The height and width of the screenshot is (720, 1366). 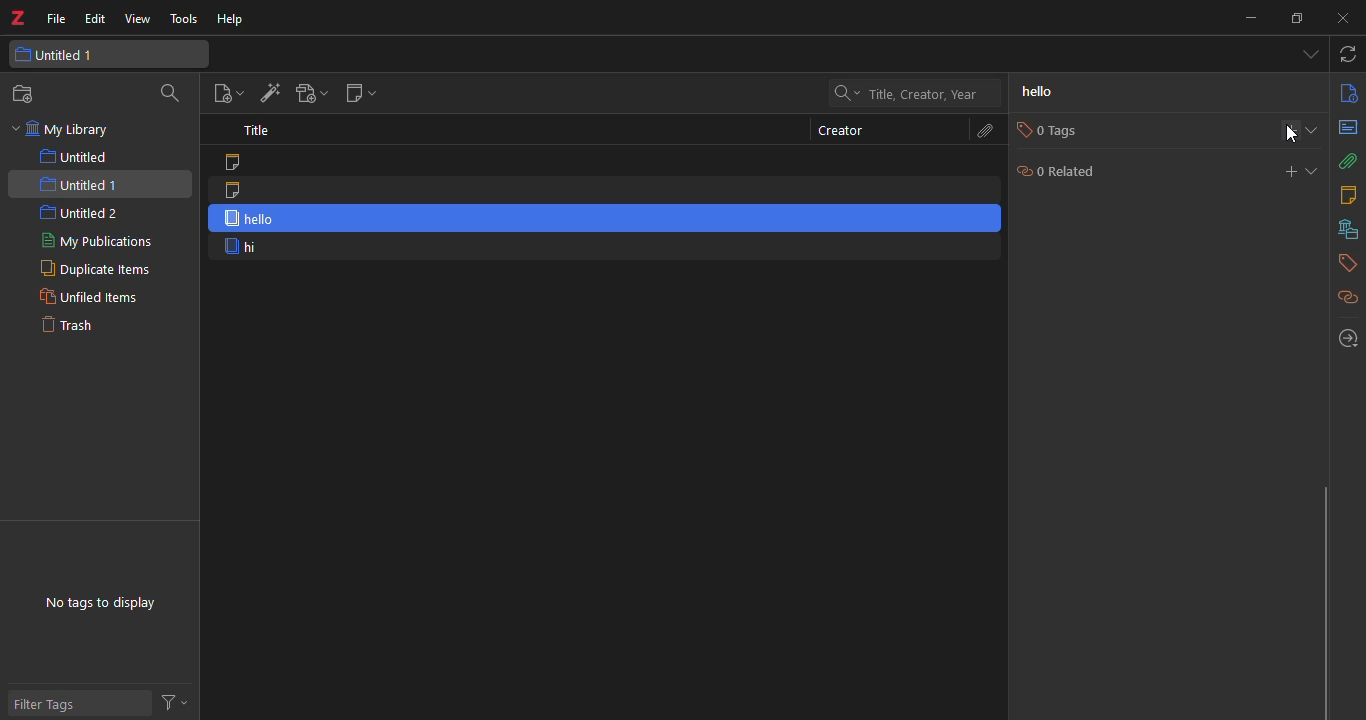 I want to click on locate, so click(x=1345, y=336).